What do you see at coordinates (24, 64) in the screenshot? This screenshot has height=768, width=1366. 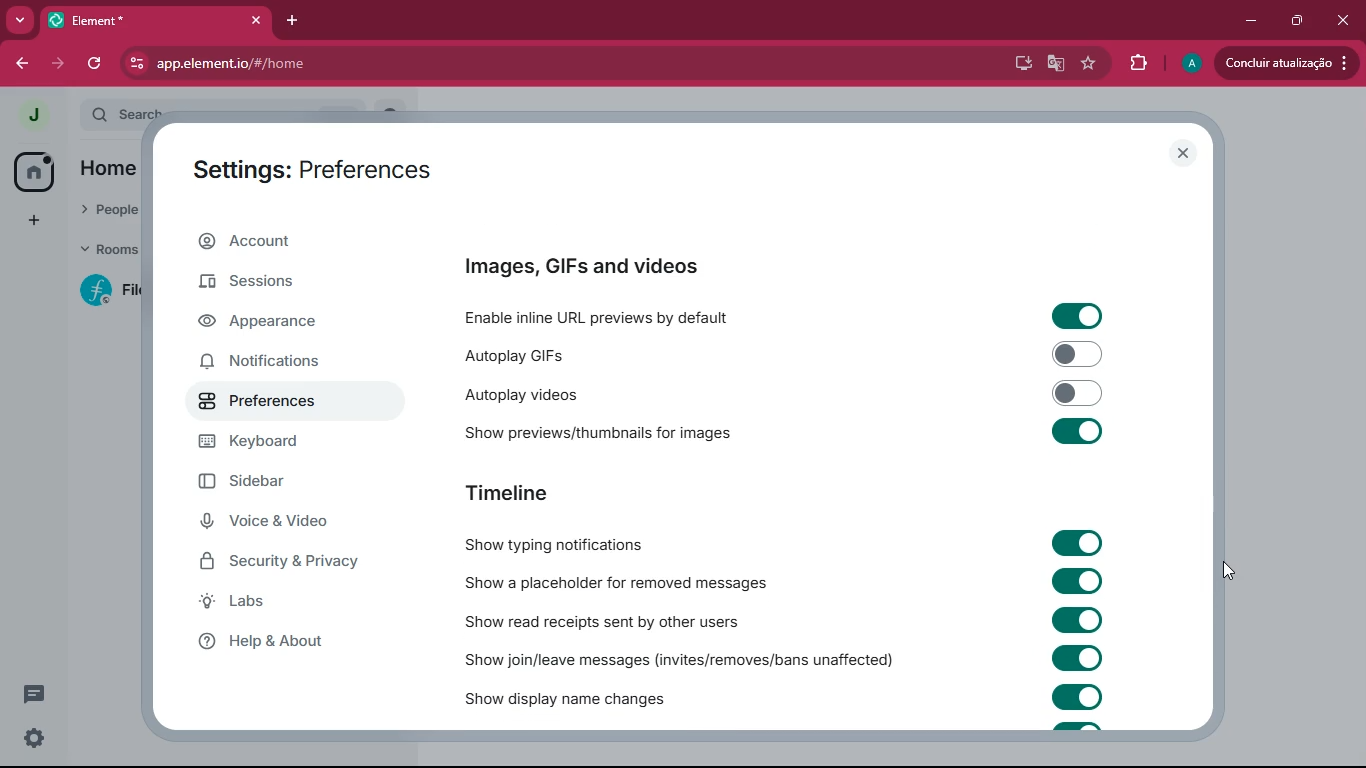 I see `back` at bounding box center [24, 64].